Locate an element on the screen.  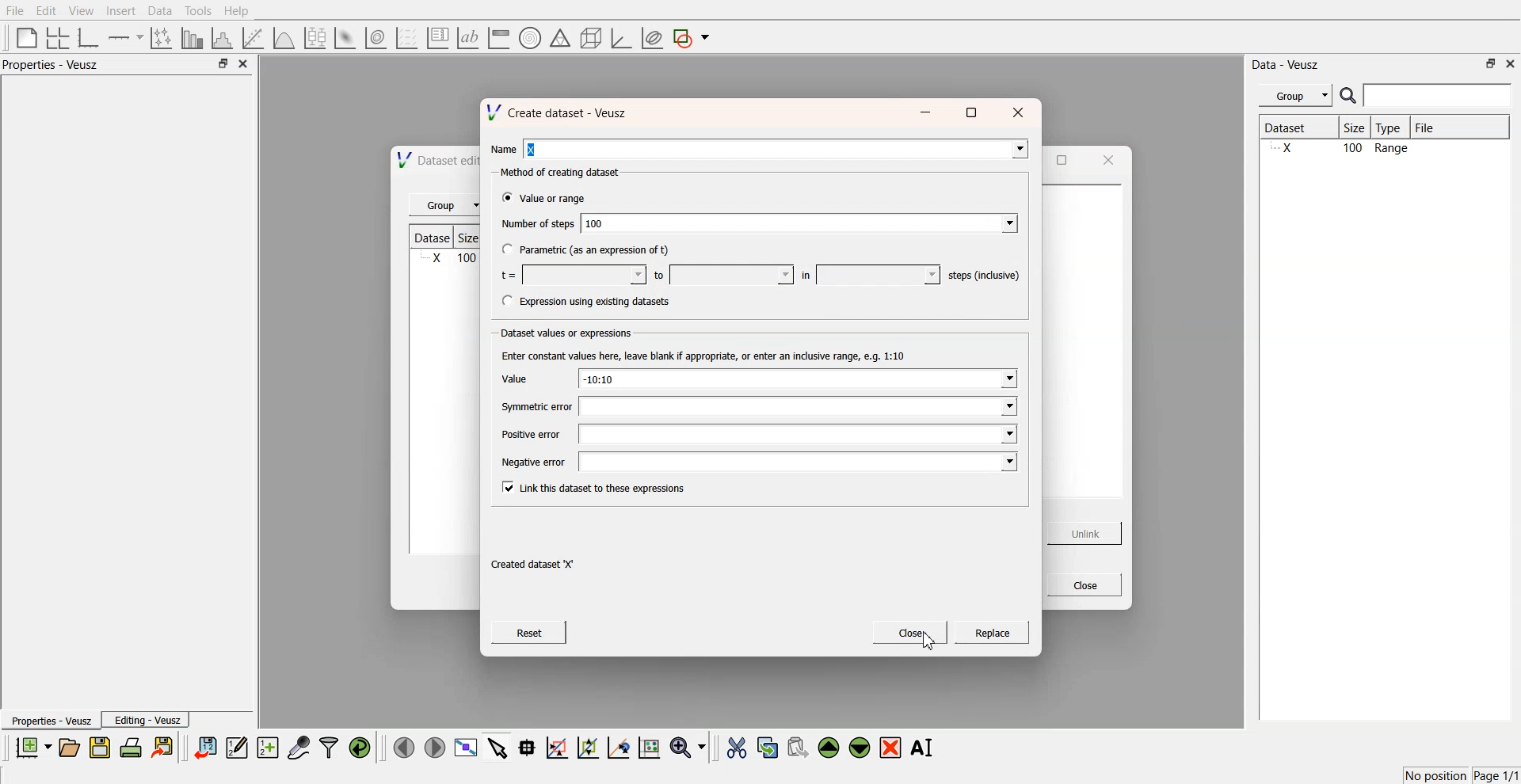
Size is located at coordinates (1359, 129).